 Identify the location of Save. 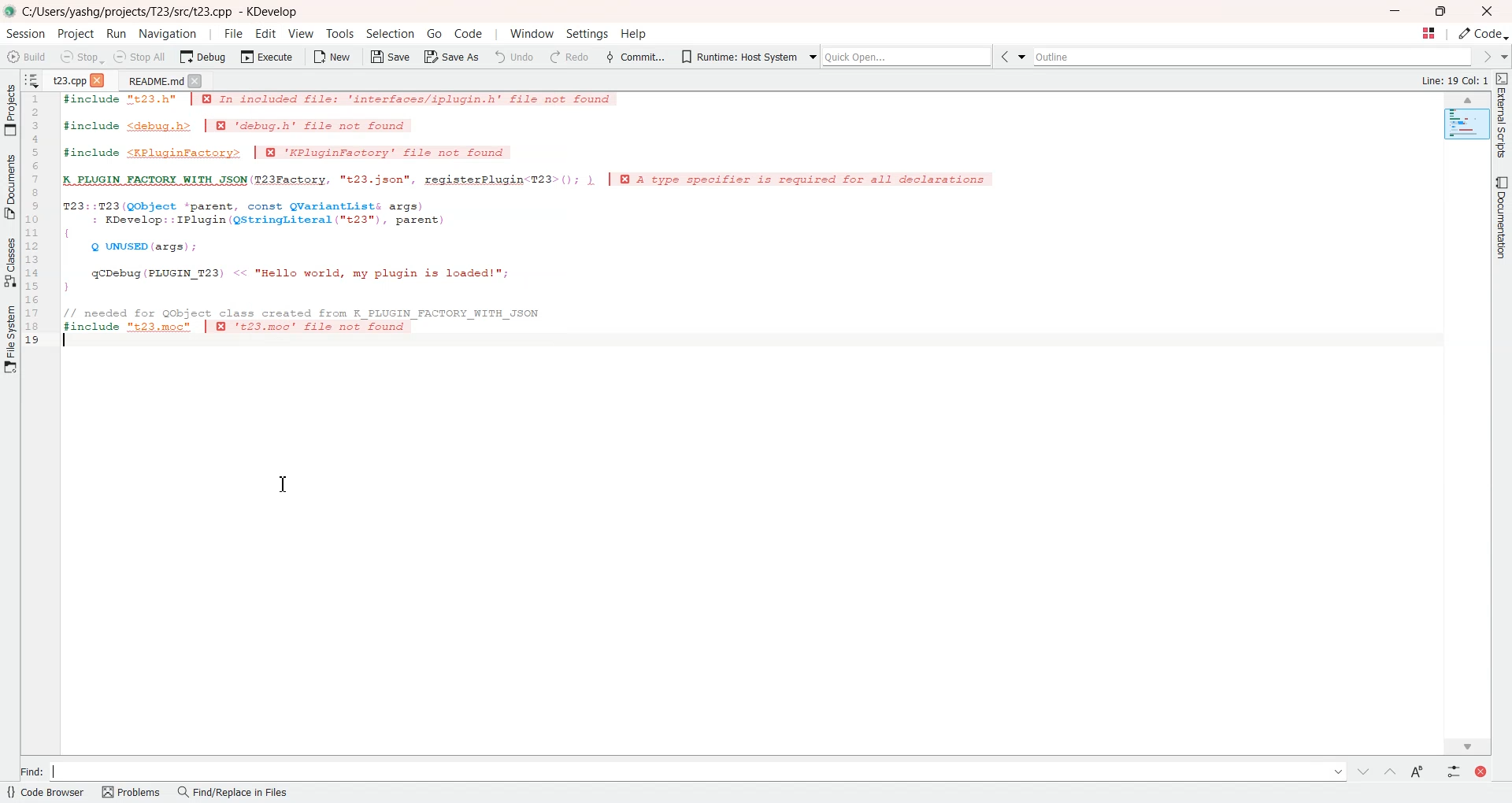
(389, 57).